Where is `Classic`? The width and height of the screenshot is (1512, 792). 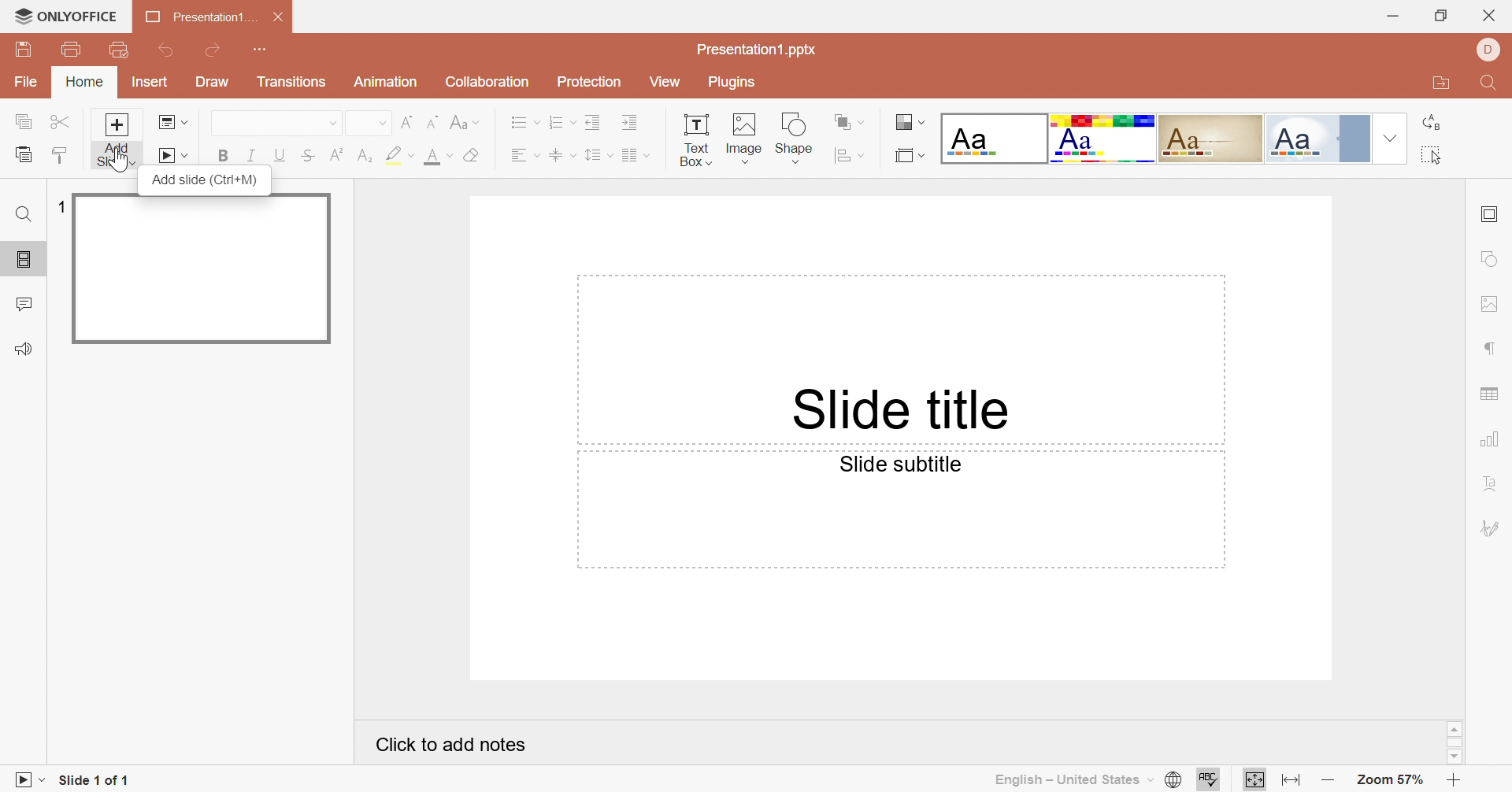
Classic is located at coordinates (1210, 139).